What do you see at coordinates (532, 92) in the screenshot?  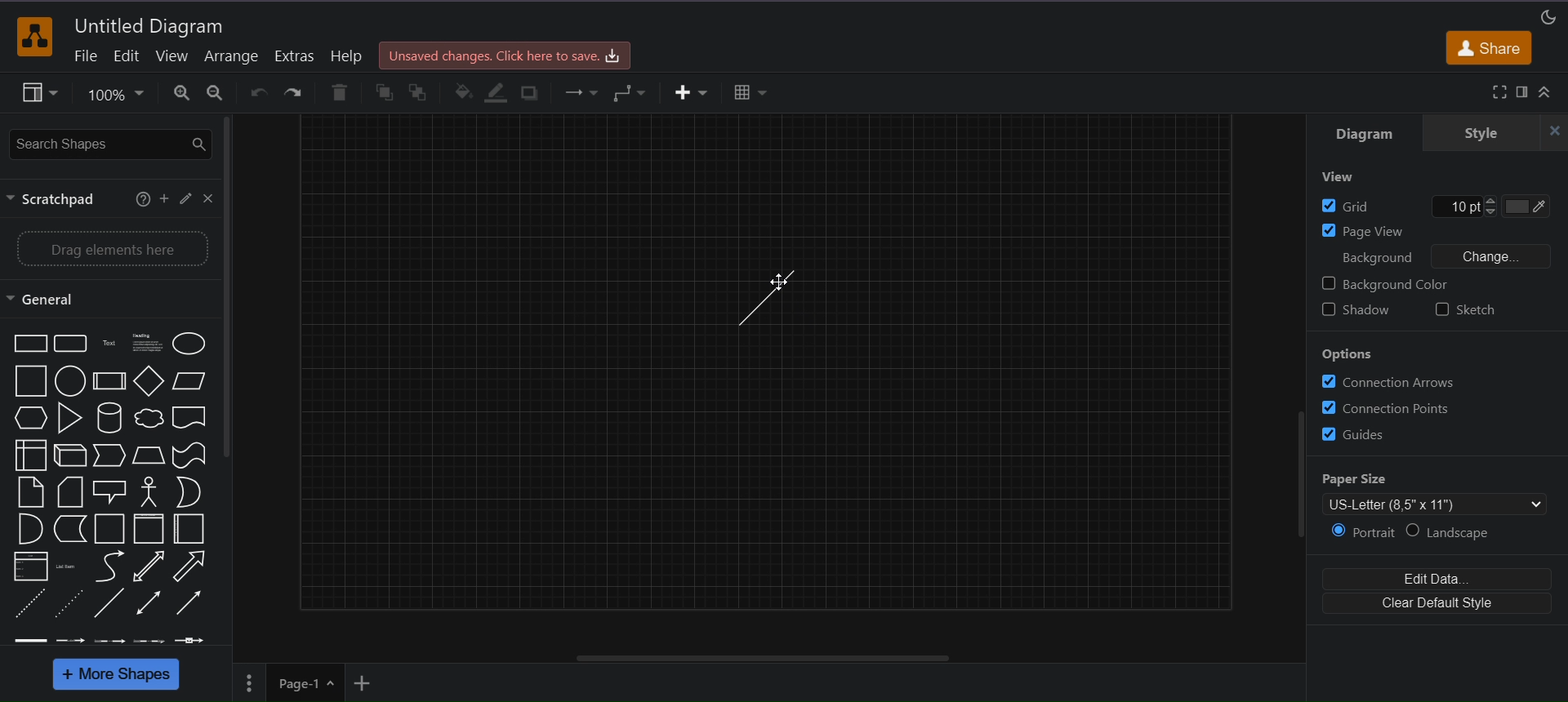 I see `shadow` at bounding box center [532, 92].